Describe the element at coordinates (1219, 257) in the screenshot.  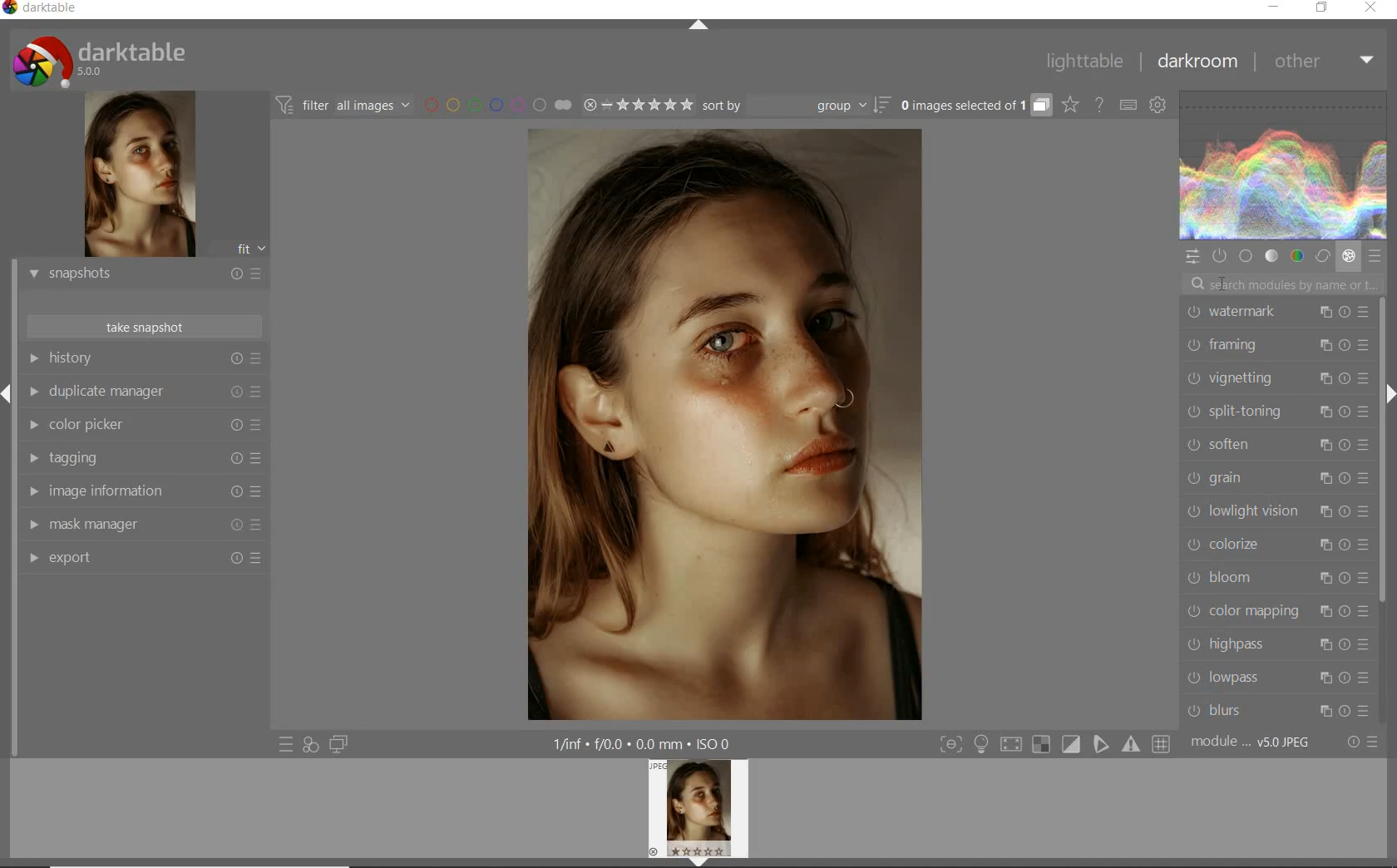
I see `show only active modules` at that location.